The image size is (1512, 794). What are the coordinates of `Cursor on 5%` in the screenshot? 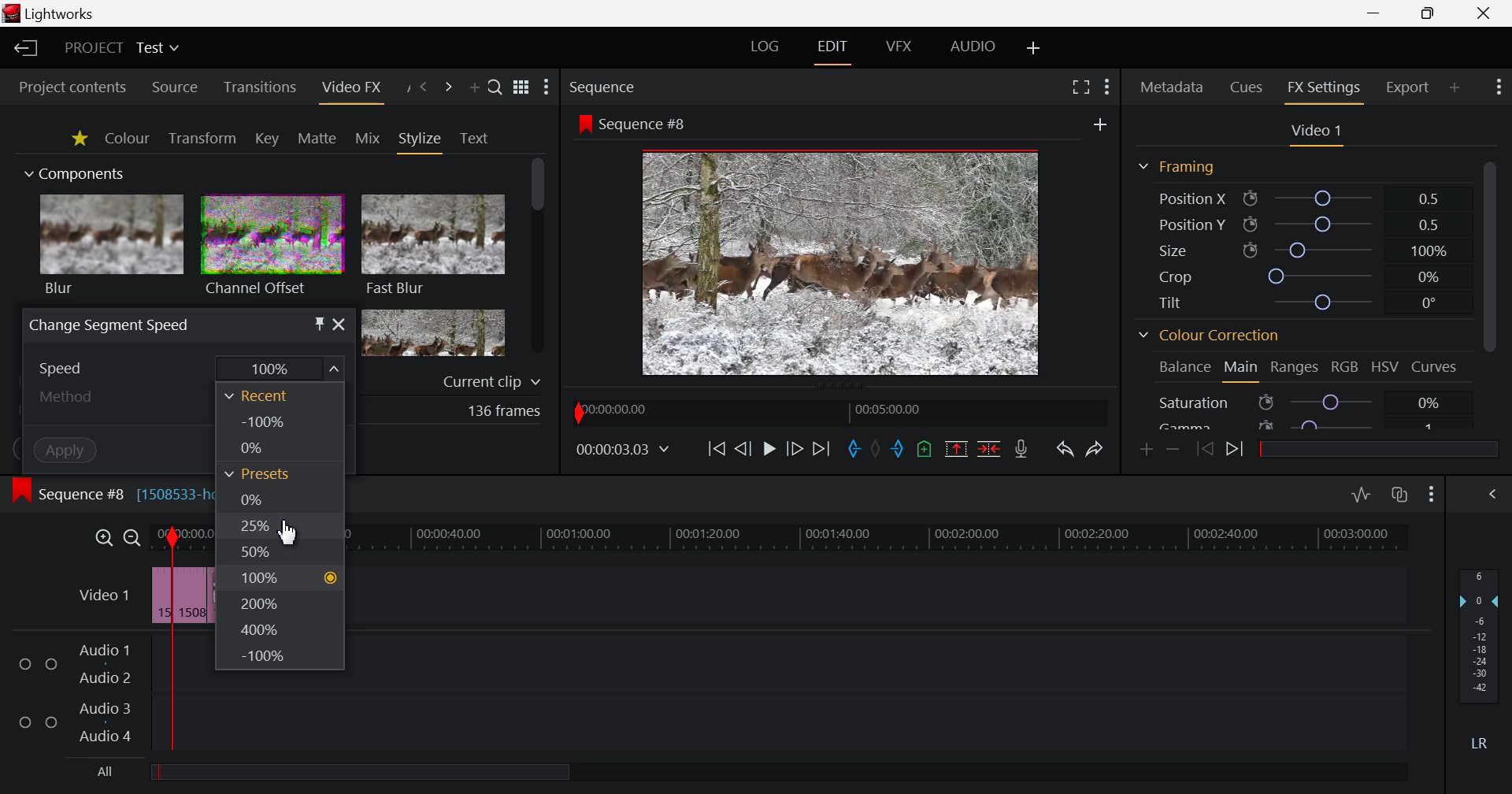 It's located at (282, 528).